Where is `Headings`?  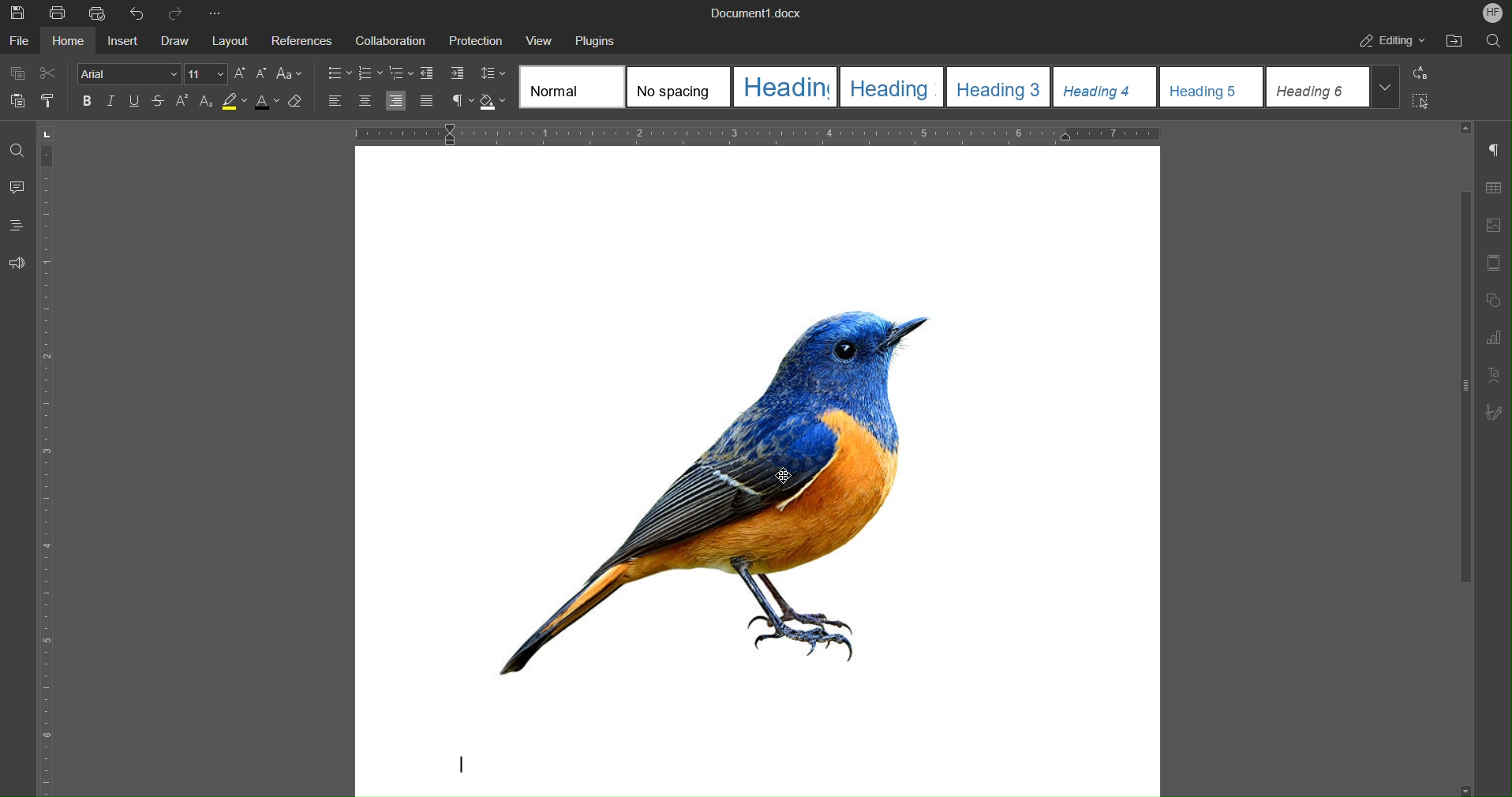 Headings is located at coordinates (17, 226).